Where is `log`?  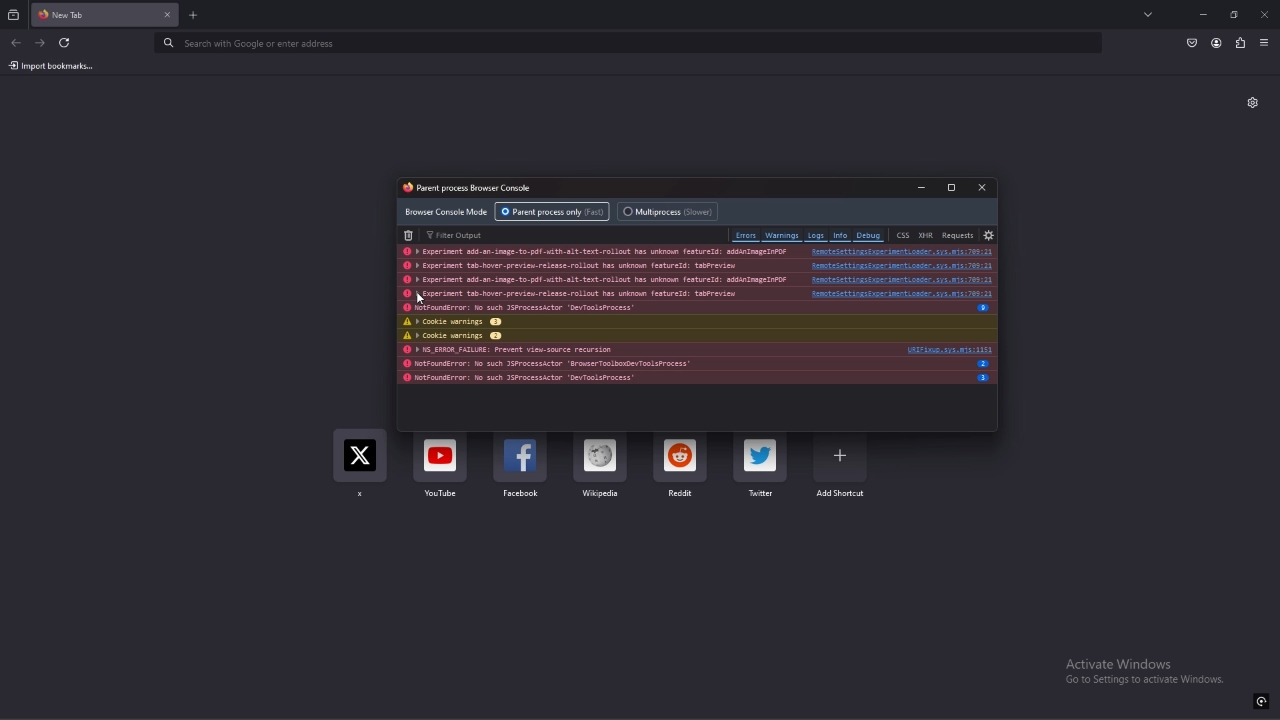
log is located at coordinates (594, 379).